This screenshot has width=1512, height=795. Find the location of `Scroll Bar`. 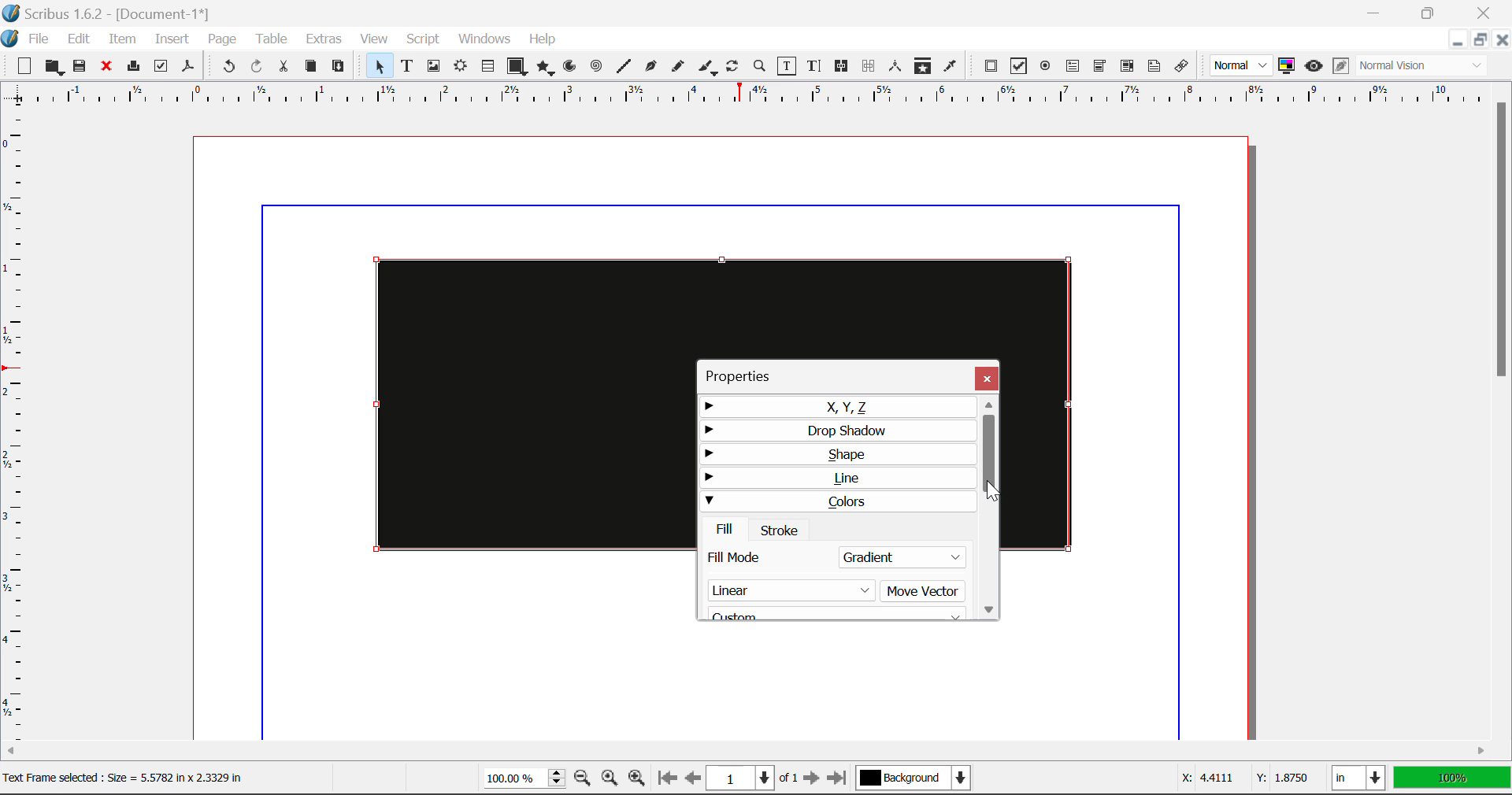

Scroll Bar is located at coordinates (747, 753).